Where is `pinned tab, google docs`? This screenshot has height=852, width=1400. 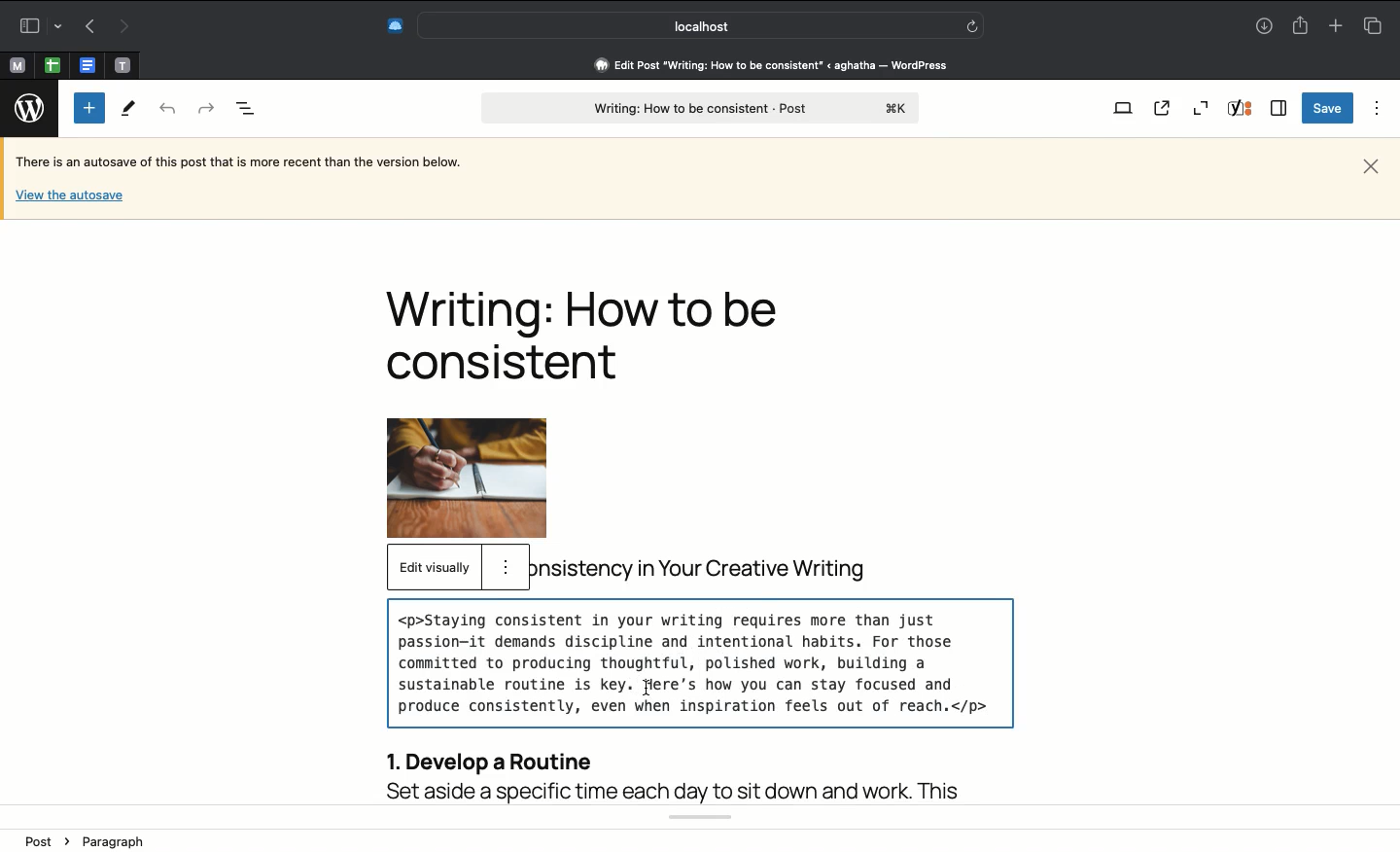 pinned tab, google docs is located at coordinates (86, 61).